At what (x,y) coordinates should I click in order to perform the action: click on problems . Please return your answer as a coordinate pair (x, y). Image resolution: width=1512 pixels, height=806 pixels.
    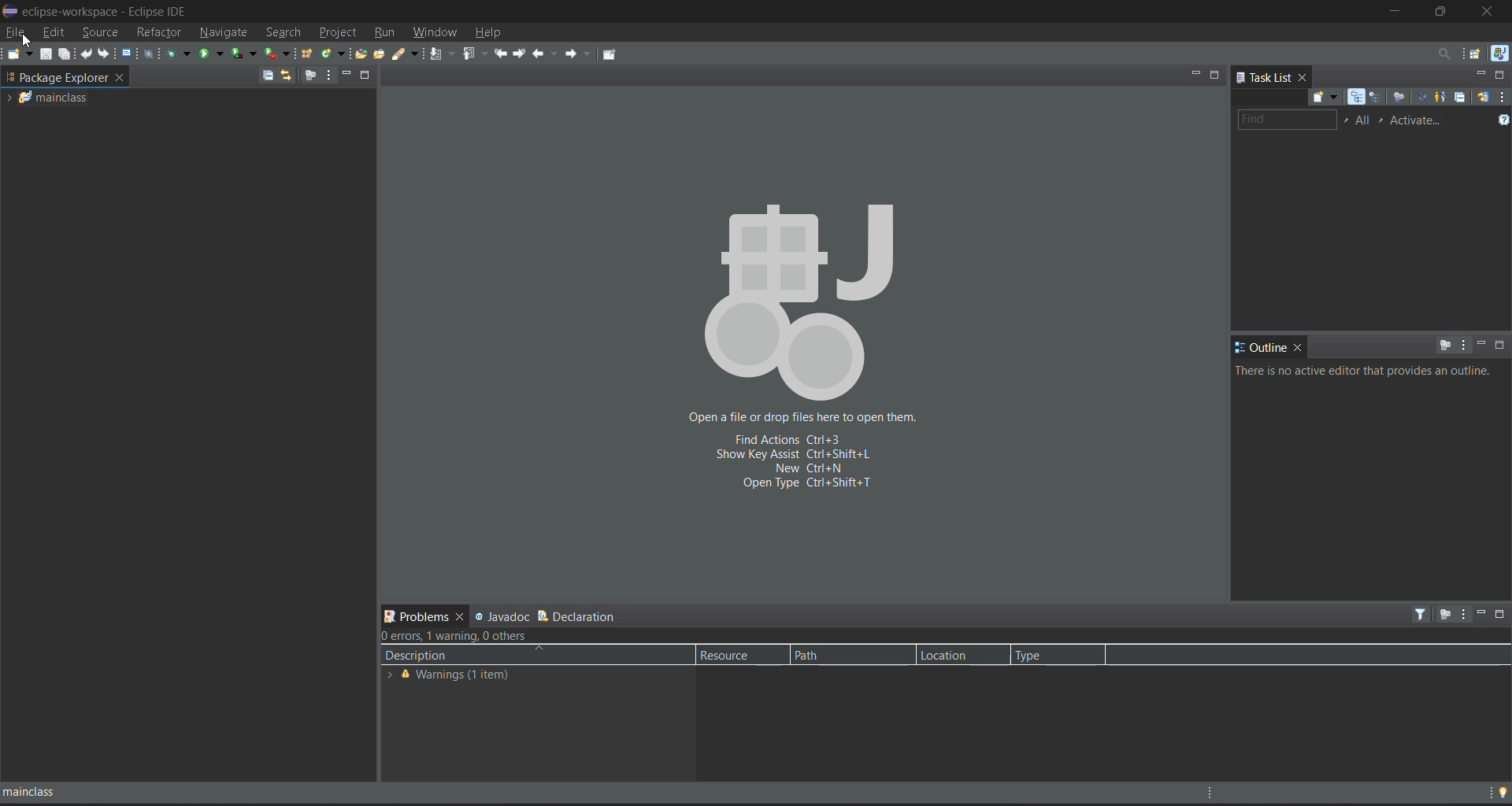
    Looking at the image, I should click on (409, 616).